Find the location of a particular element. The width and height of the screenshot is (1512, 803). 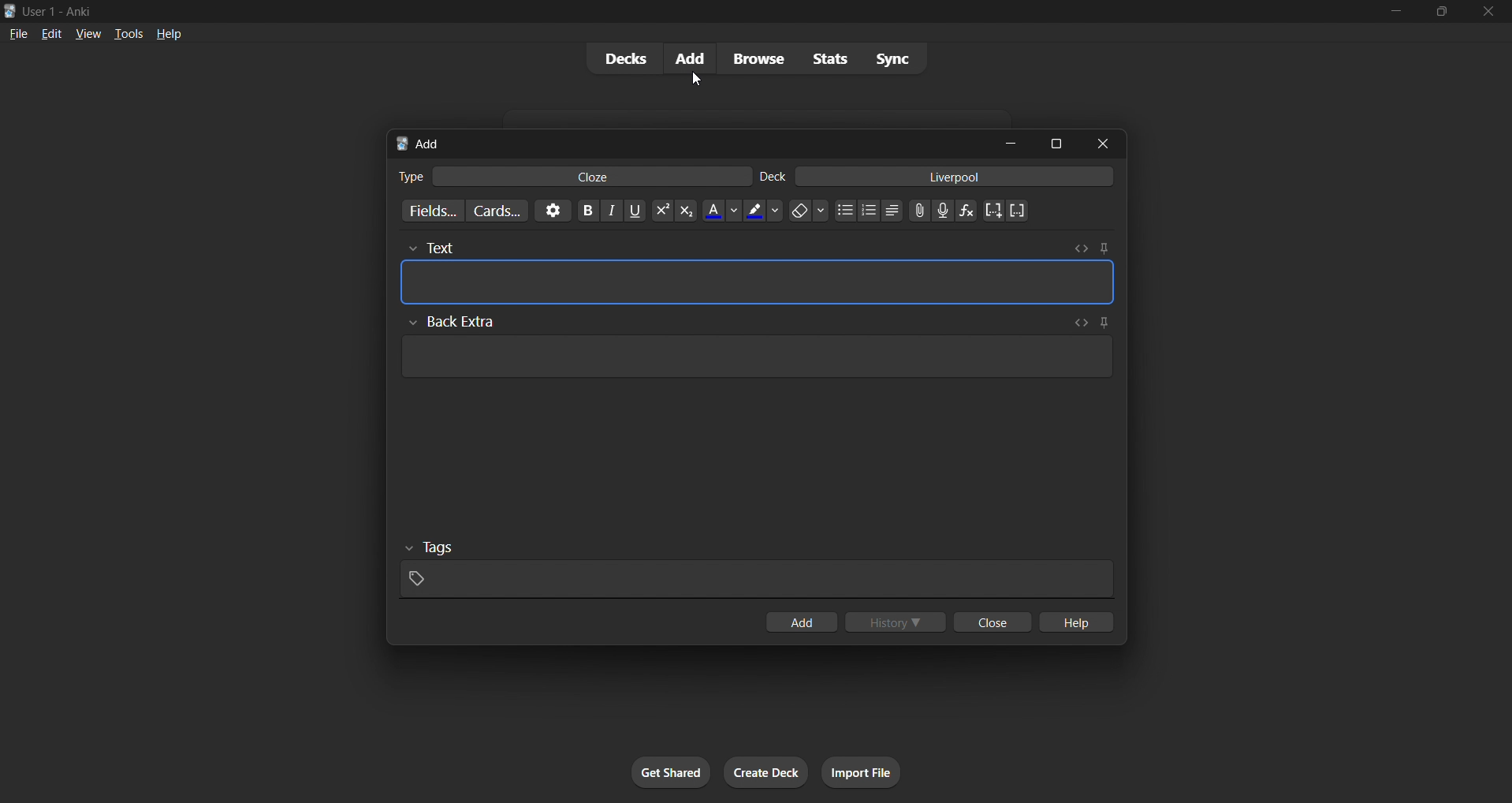

minimize is located at coordinates (1398, 13).